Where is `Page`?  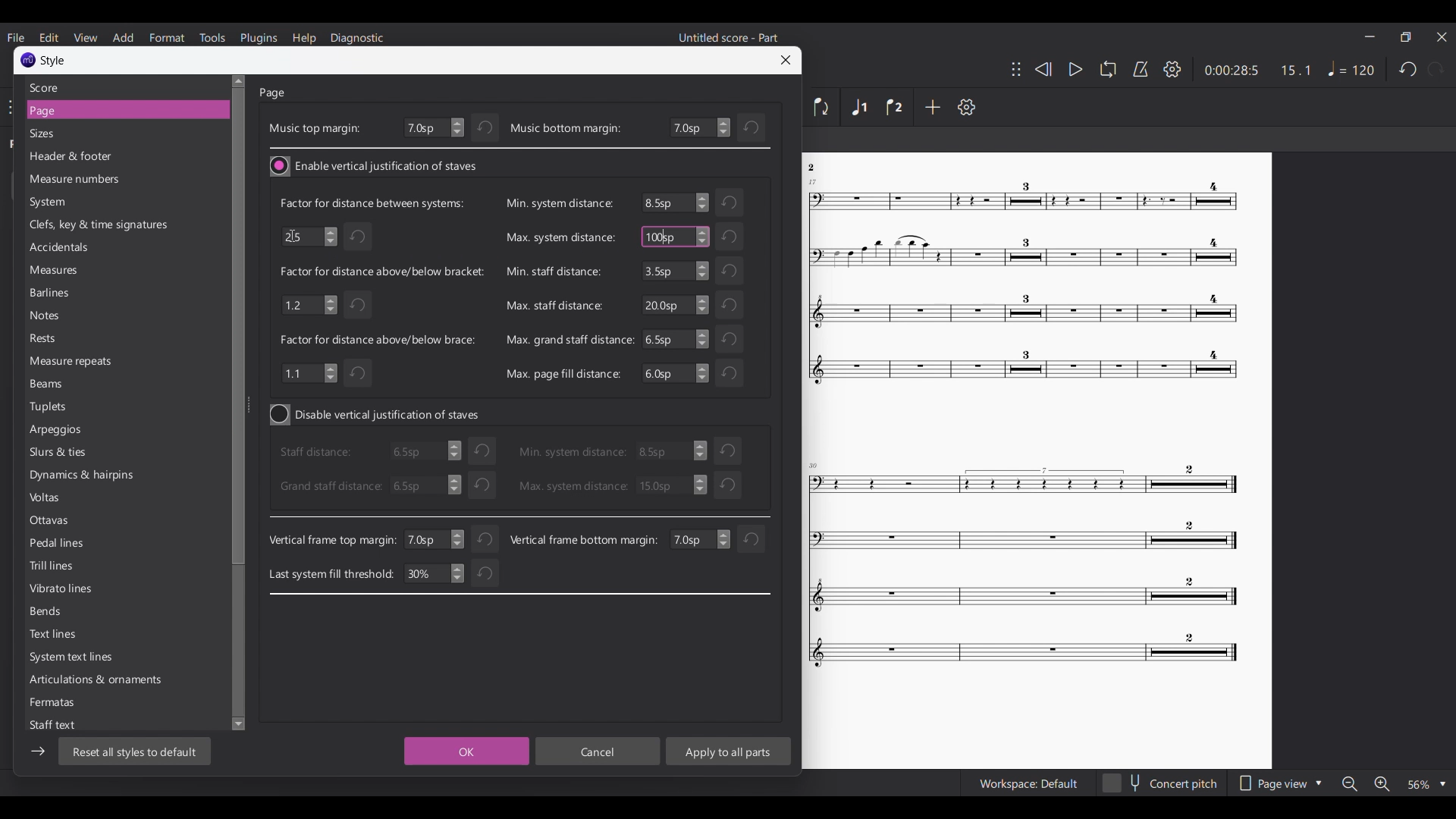 Page is located at coordinates (117, 111).